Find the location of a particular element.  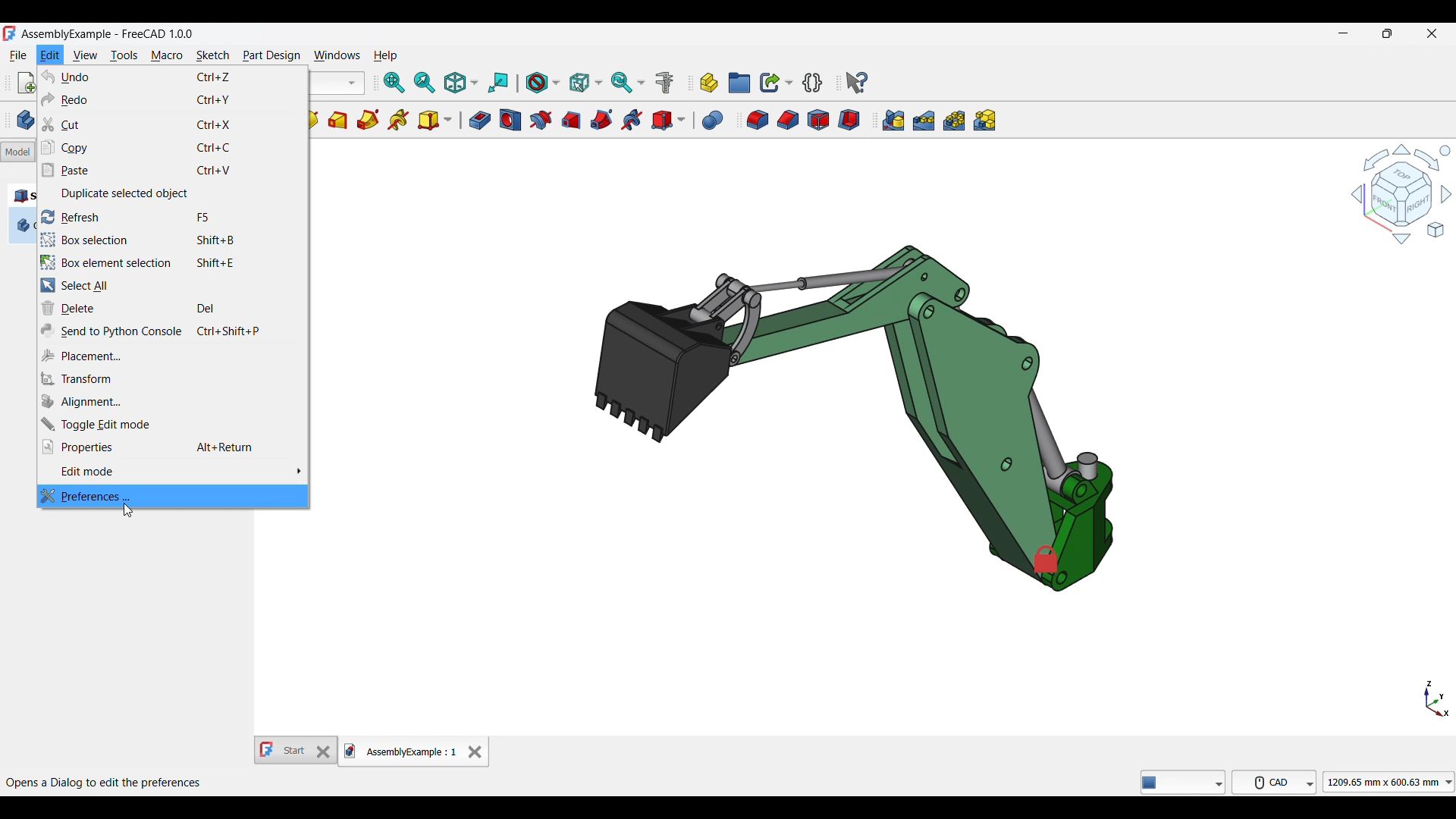

Fit selection is located at coordinates (425, 83).